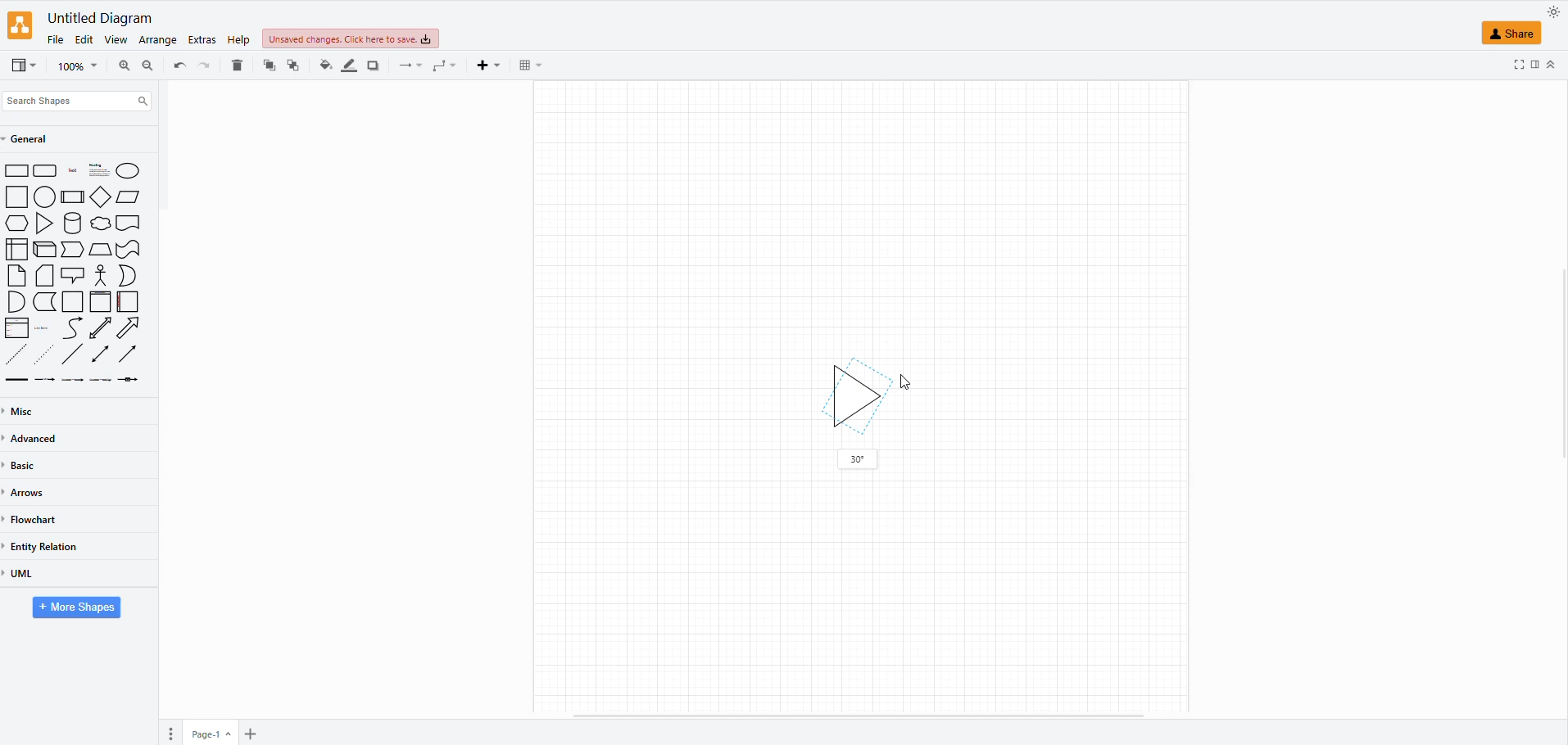 The height and width of the screenshot is (745, 1568). Describe the element at coordinates (128, 170) in the screenshot. I see `Circle` at that location.